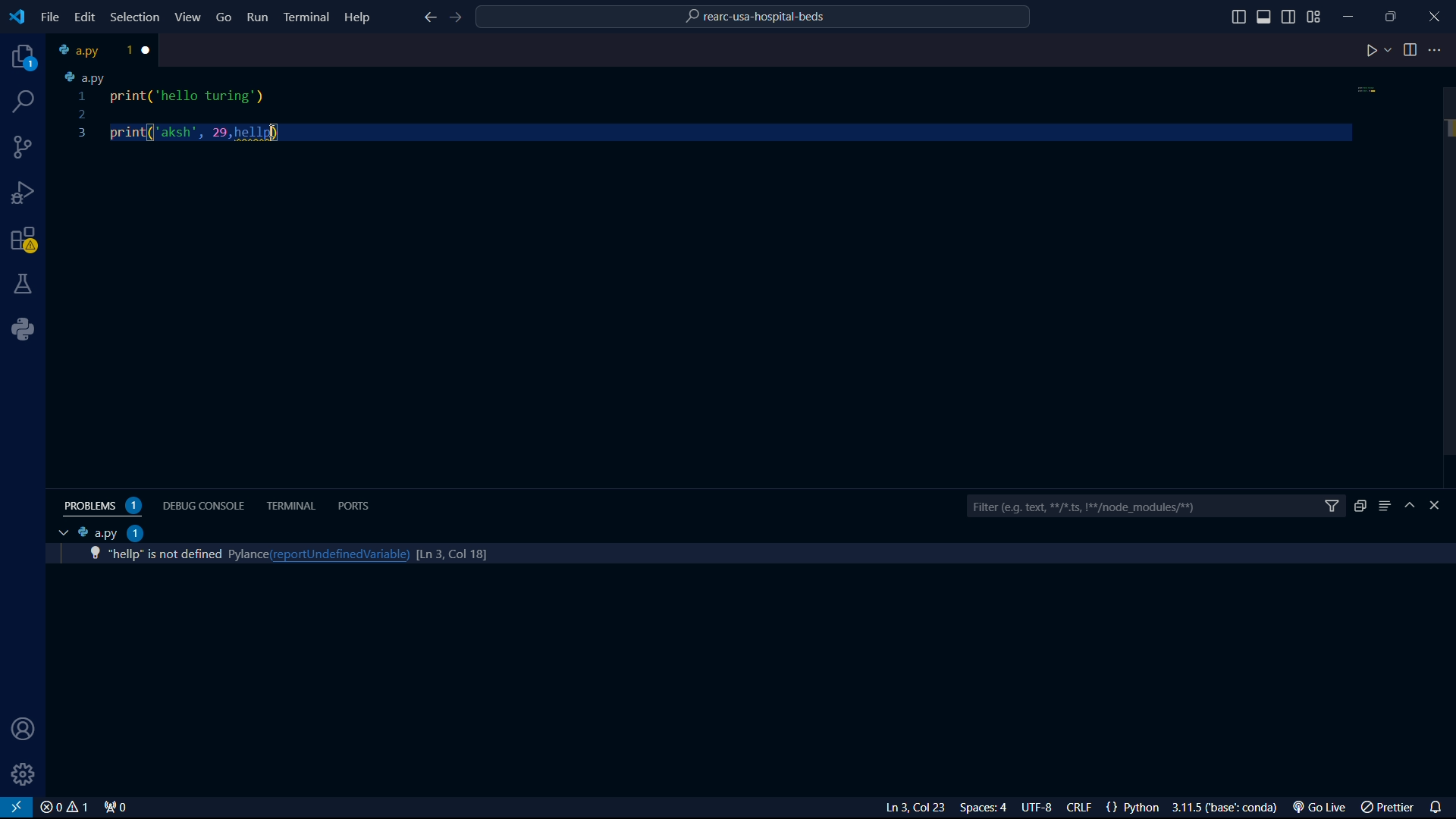  Describe the element at coordinates (118, 808) in the screenshot. I see `connect 0` at that location.